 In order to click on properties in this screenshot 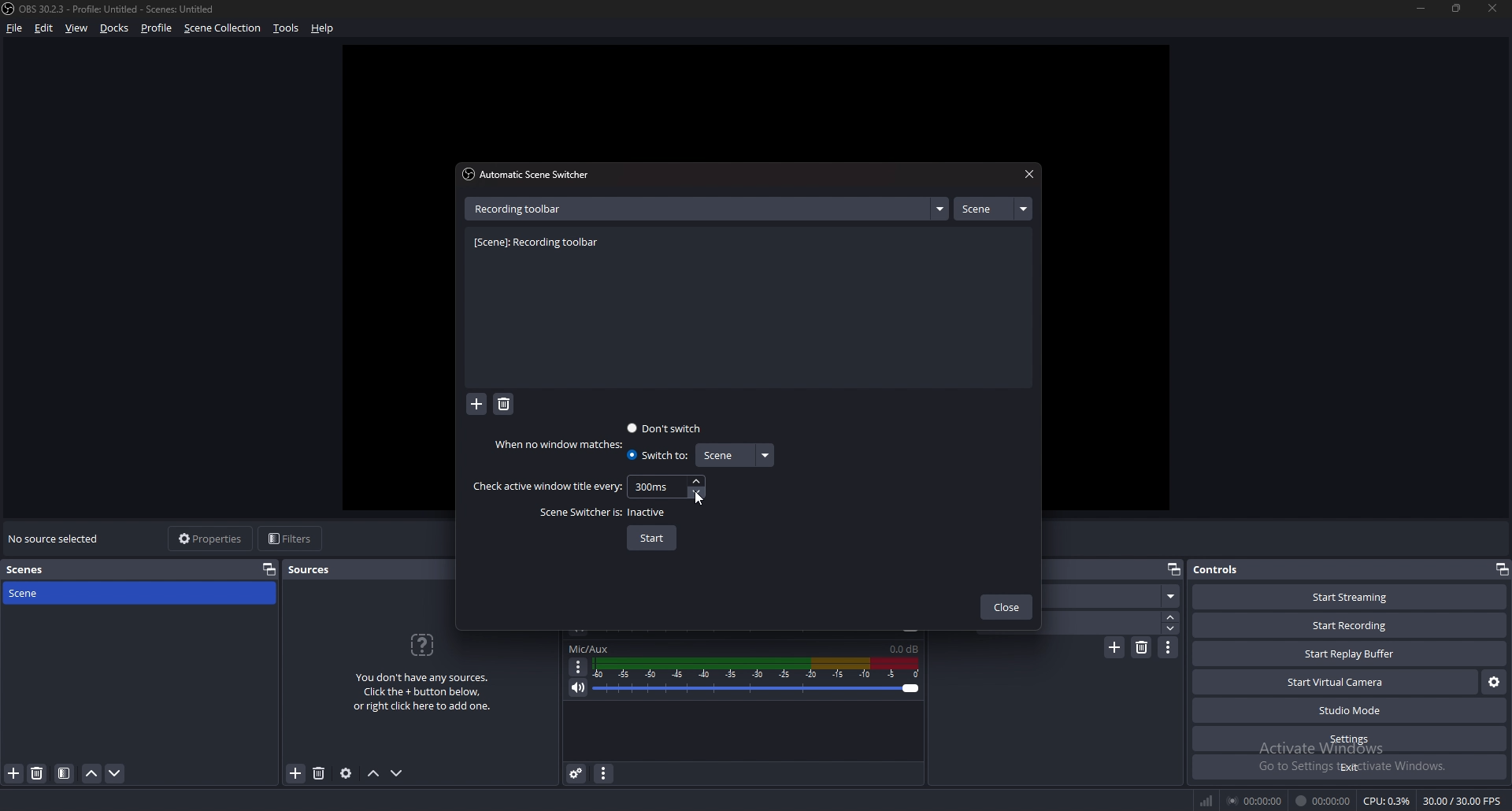, I will do `click(212, 539)`.